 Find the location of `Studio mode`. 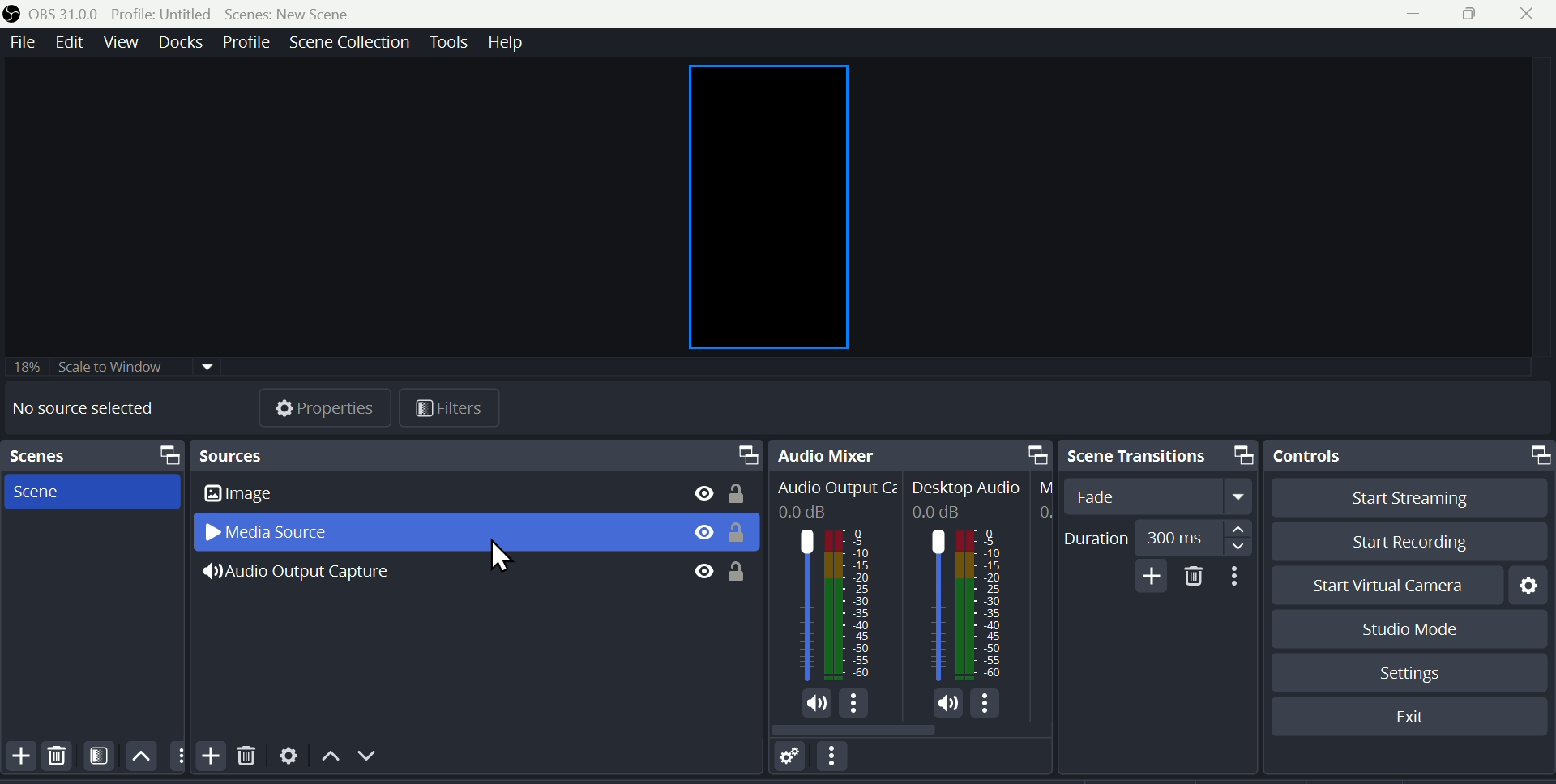

Studio mode is located at coordinates (1396, 628).